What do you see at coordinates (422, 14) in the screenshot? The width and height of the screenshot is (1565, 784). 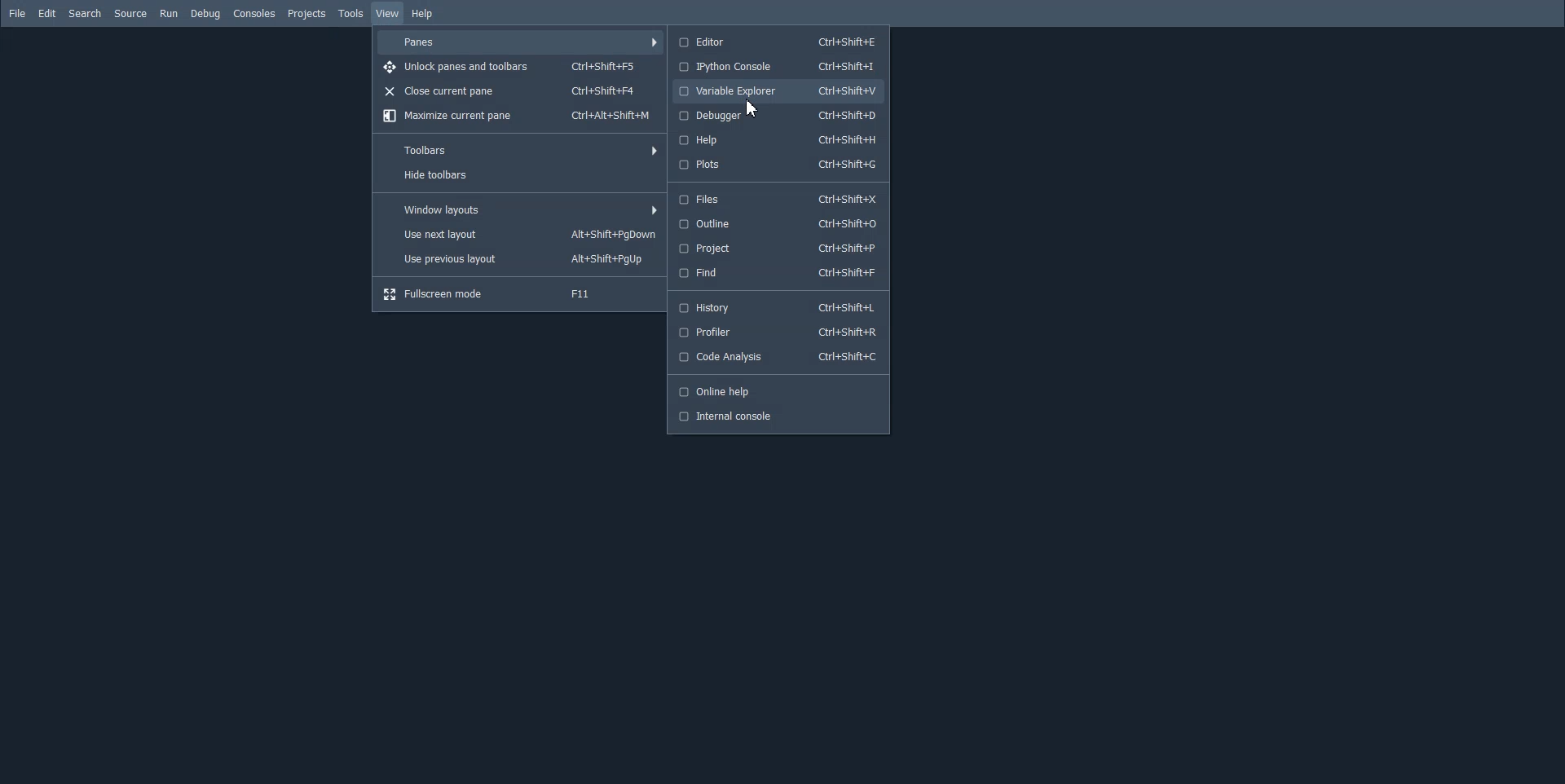 I see `Help` at bounding box center [422, 14].